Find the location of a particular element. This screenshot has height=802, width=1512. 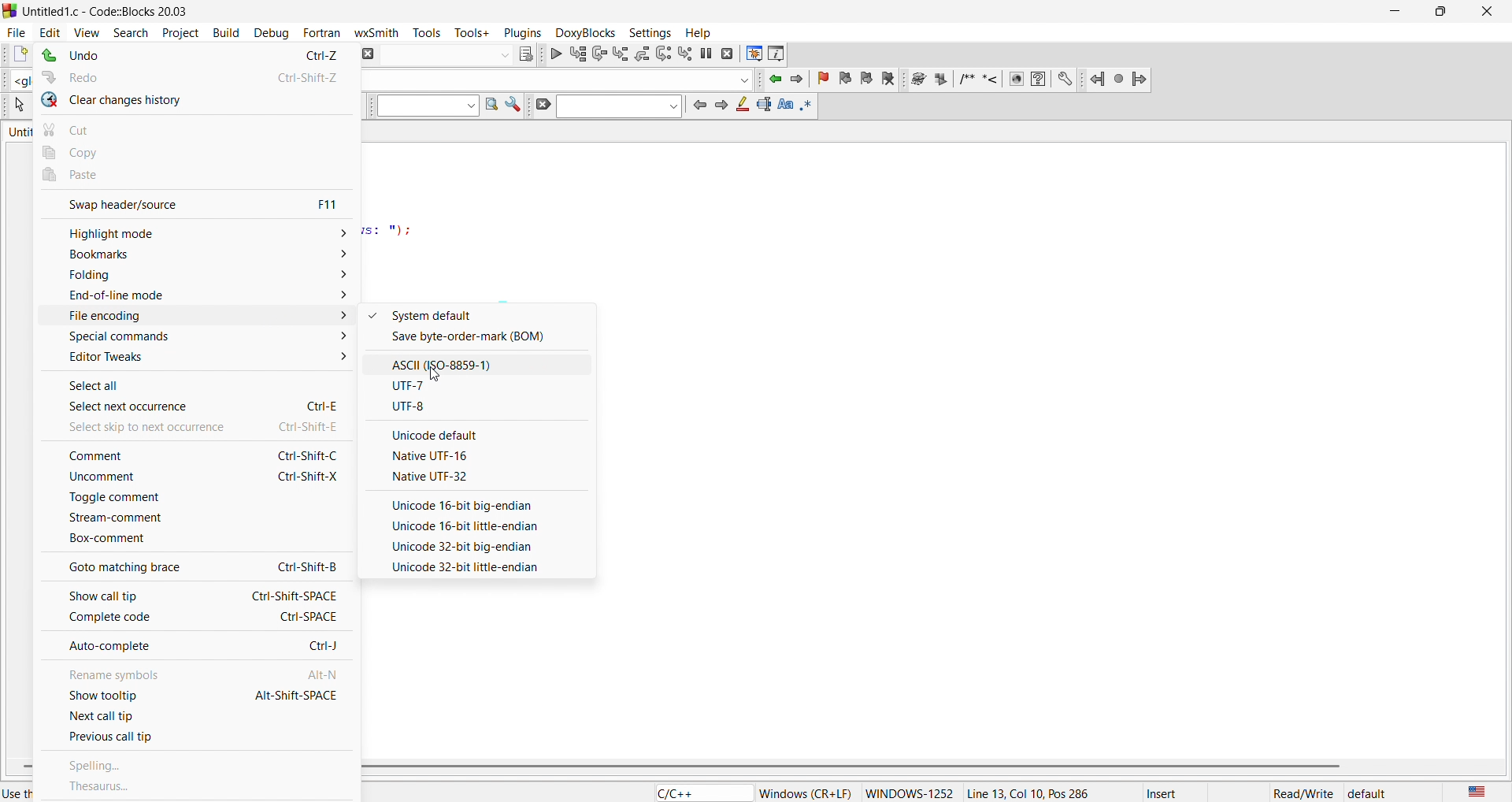

select is located at coordinates (18, 106).